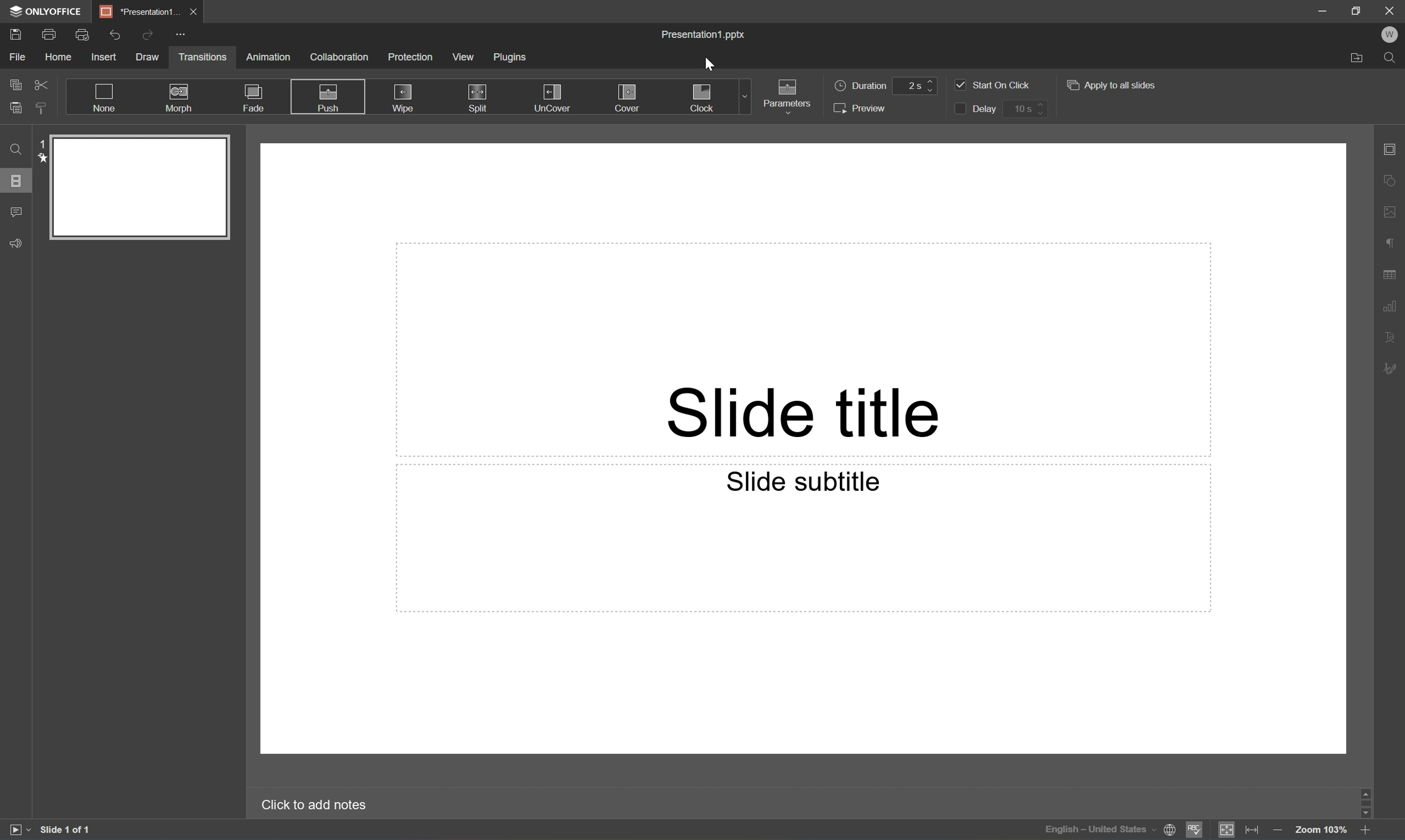 Image resolution: width=1405 pixels, height=840 pixels. What do you see at coordinates (1389, 33) in the screenshot?
I see `W` at bounding box center [1389, 33].